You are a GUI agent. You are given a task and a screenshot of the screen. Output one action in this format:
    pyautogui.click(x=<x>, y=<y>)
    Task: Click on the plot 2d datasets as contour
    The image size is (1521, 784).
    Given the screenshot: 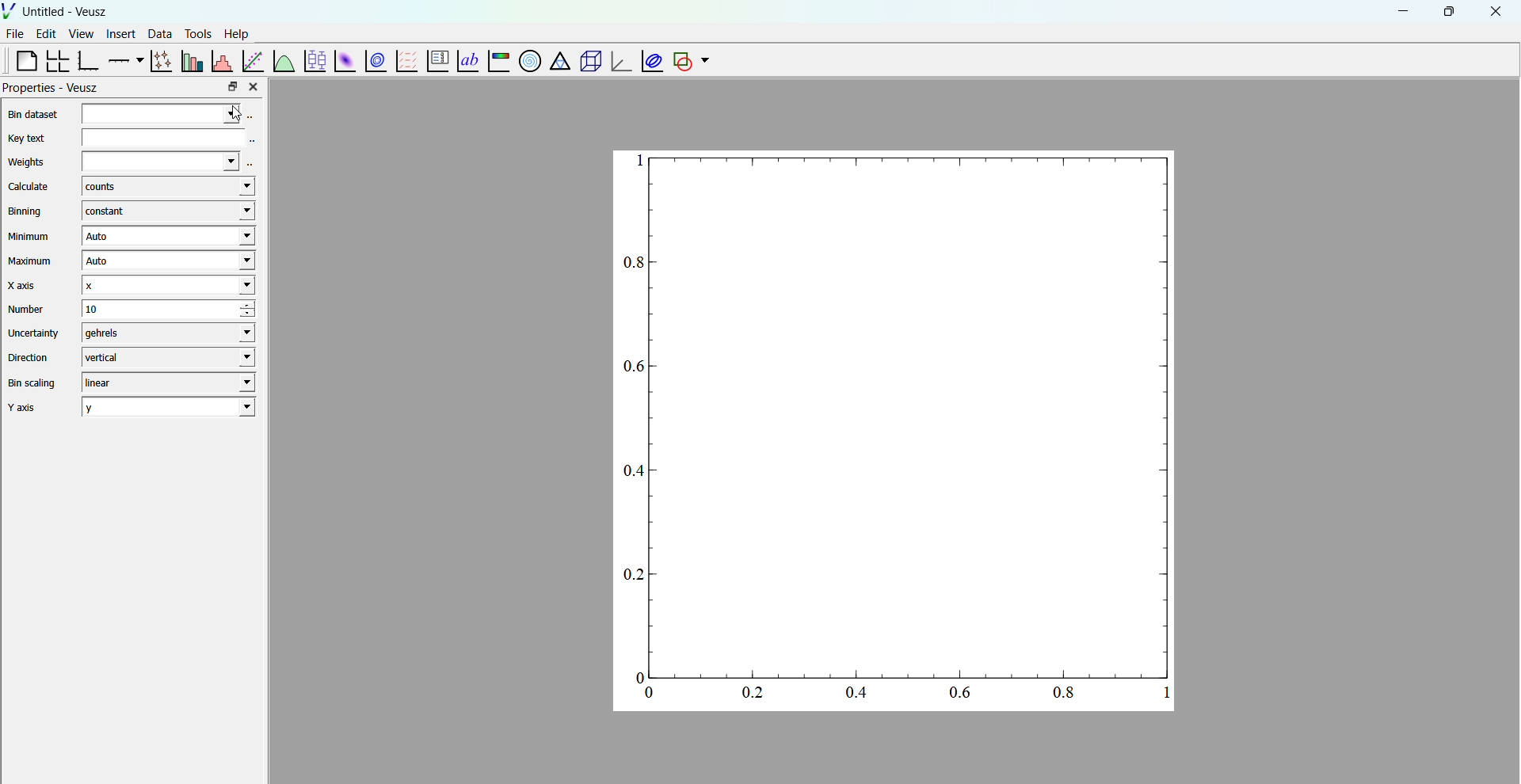 What is the action you would take?
    pyautogui.click(x=376, y=62)
    